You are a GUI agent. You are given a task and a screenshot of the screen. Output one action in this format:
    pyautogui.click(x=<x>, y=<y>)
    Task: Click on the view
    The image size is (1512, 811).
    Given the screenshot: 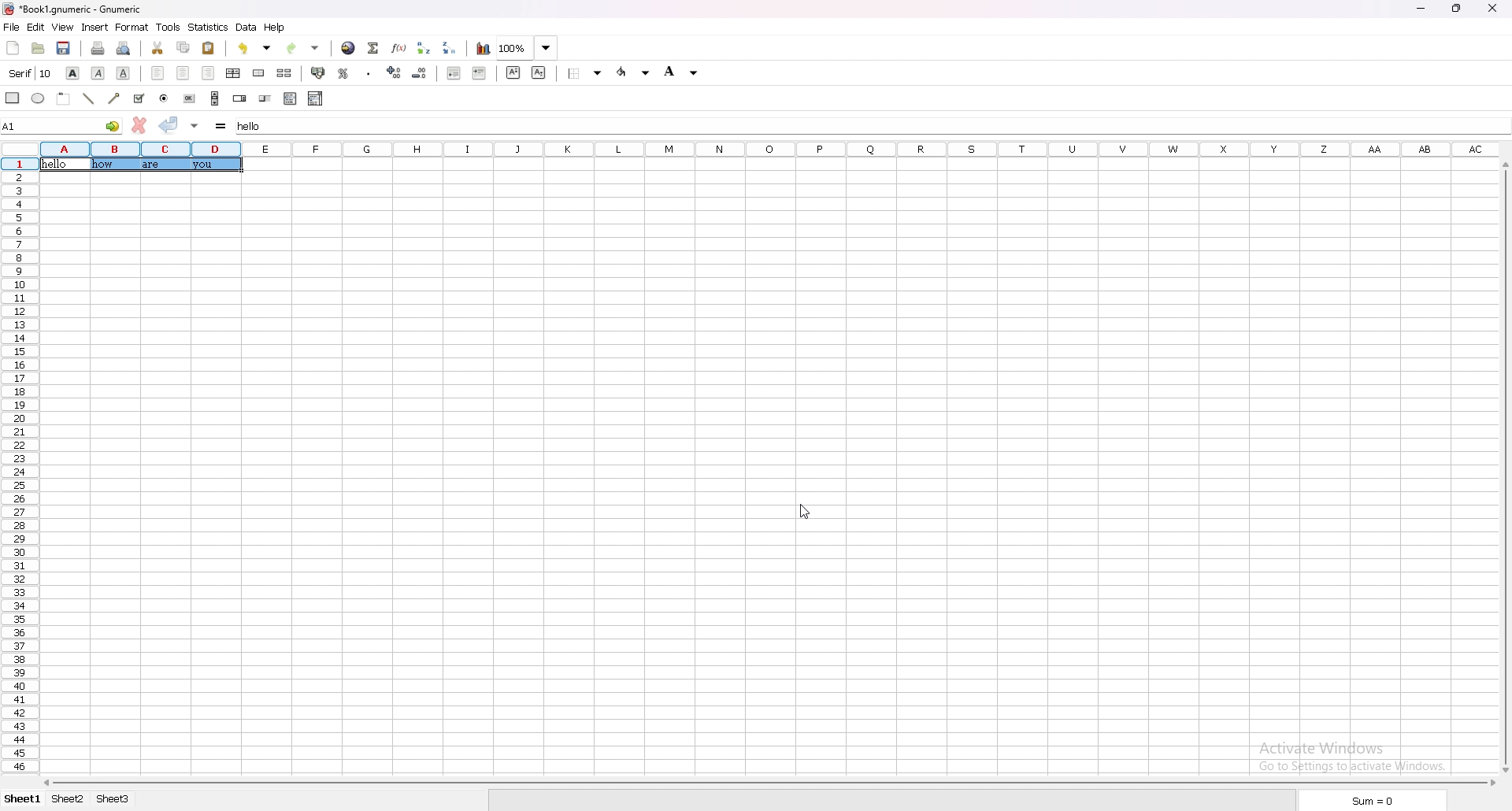 What is the action you would take?
    pyautogui.click(x=63, y=28)
    